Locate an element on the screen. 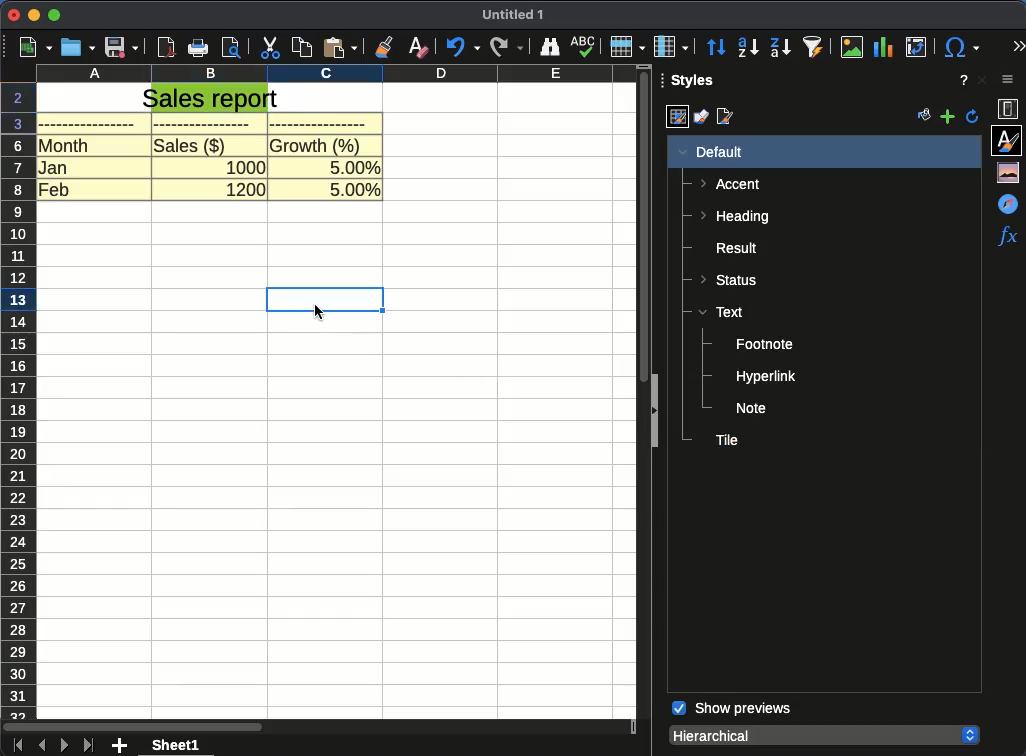  open is located at coordinates (78, 48).